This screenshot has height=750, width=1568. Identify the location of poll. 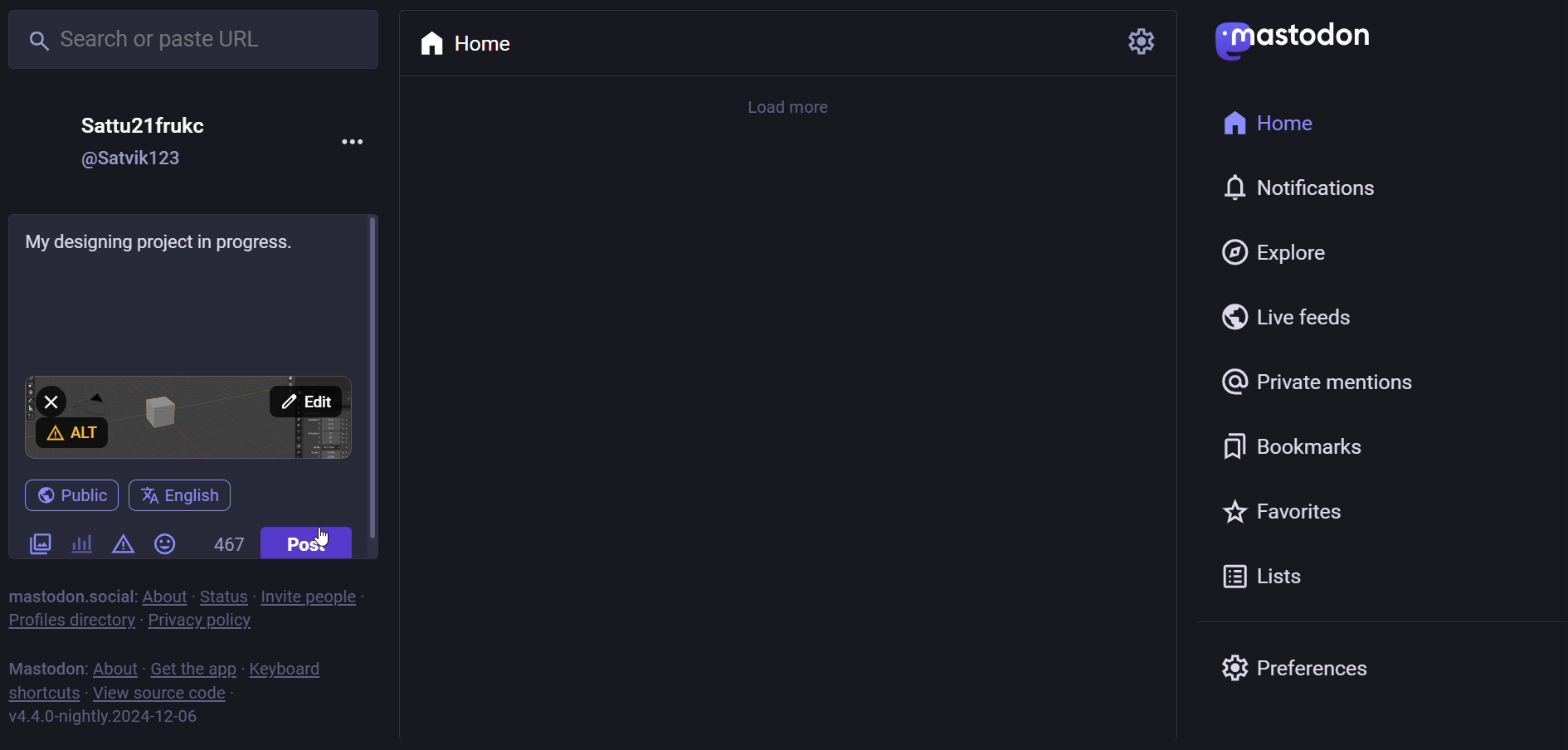
(82, 543).